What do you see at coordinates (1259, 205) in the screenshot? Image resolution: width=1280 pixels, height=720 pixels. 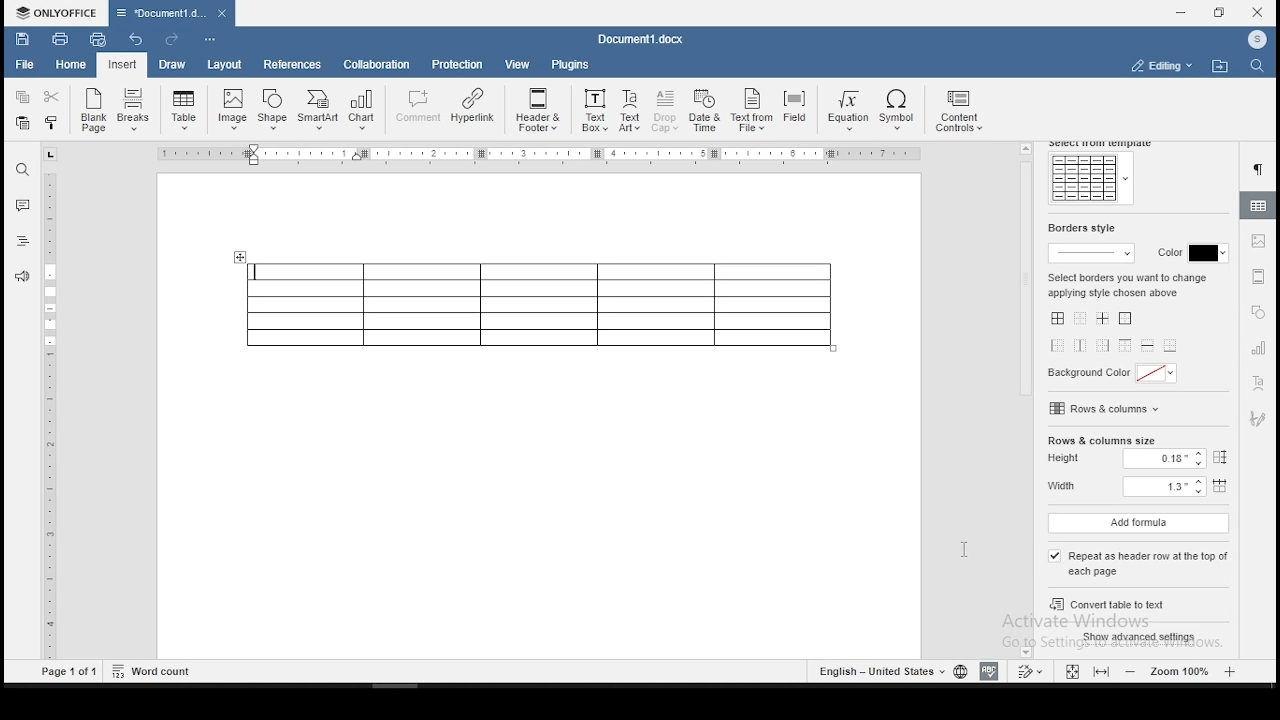 I see `table properties` at bounding box center [1259, 205].